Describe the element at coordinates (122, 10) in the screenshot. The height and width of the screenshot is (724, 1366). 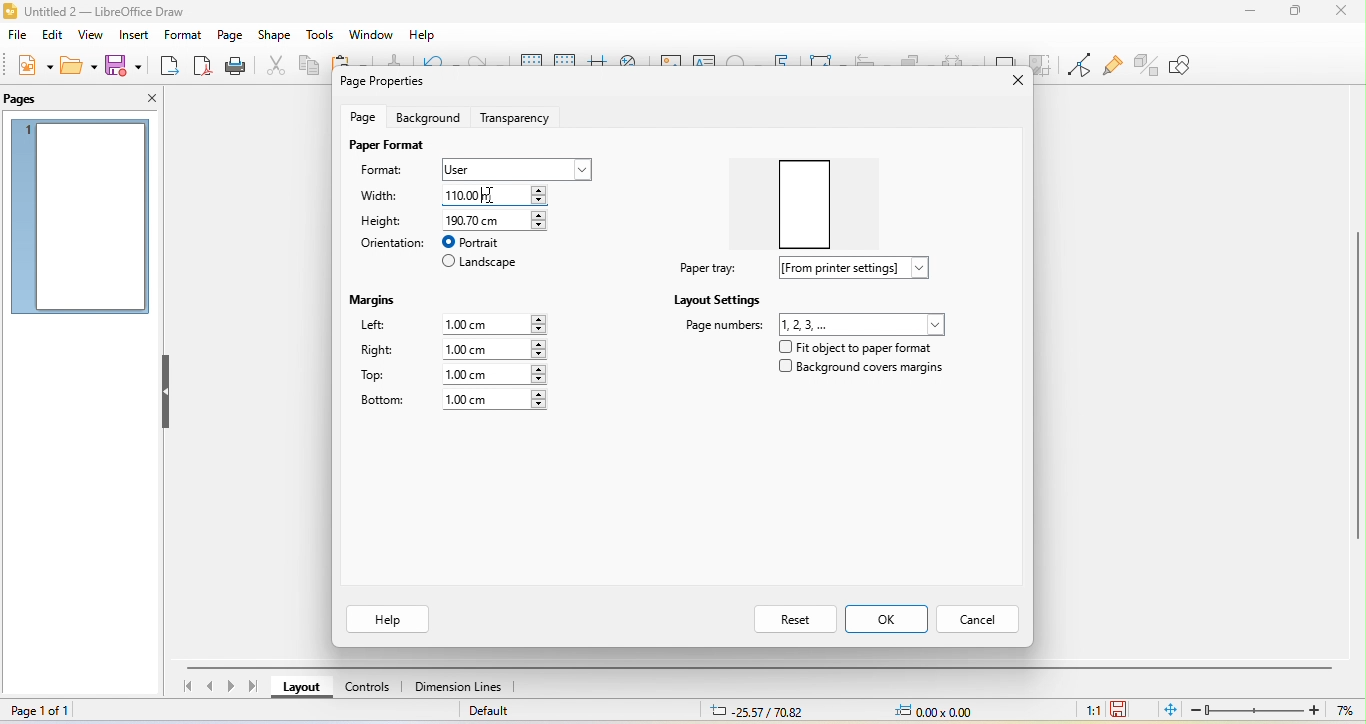
I see `title` at that location.